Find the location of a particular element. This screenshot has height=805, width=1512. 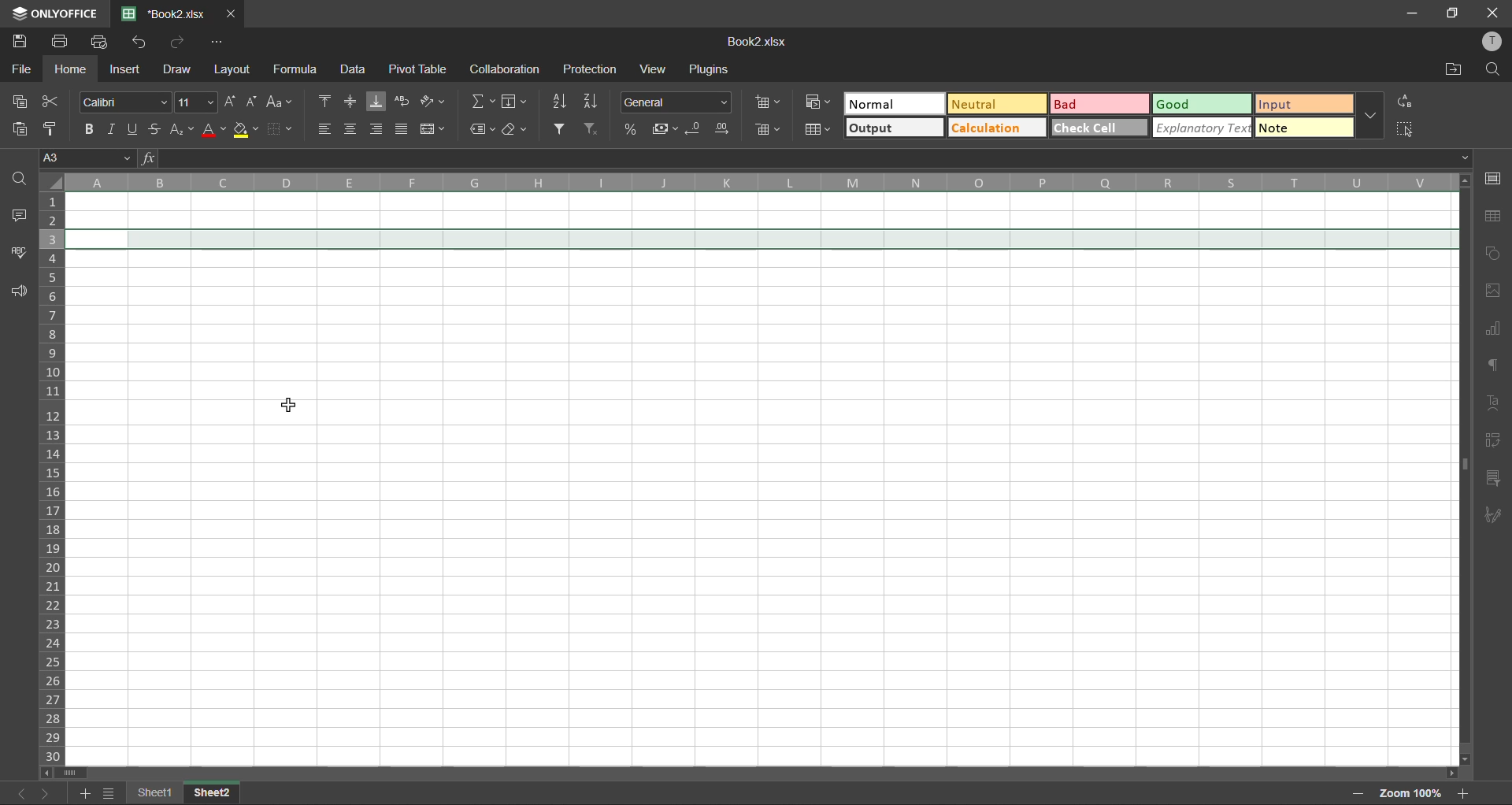

profile is located at coordinates (1490, 42).